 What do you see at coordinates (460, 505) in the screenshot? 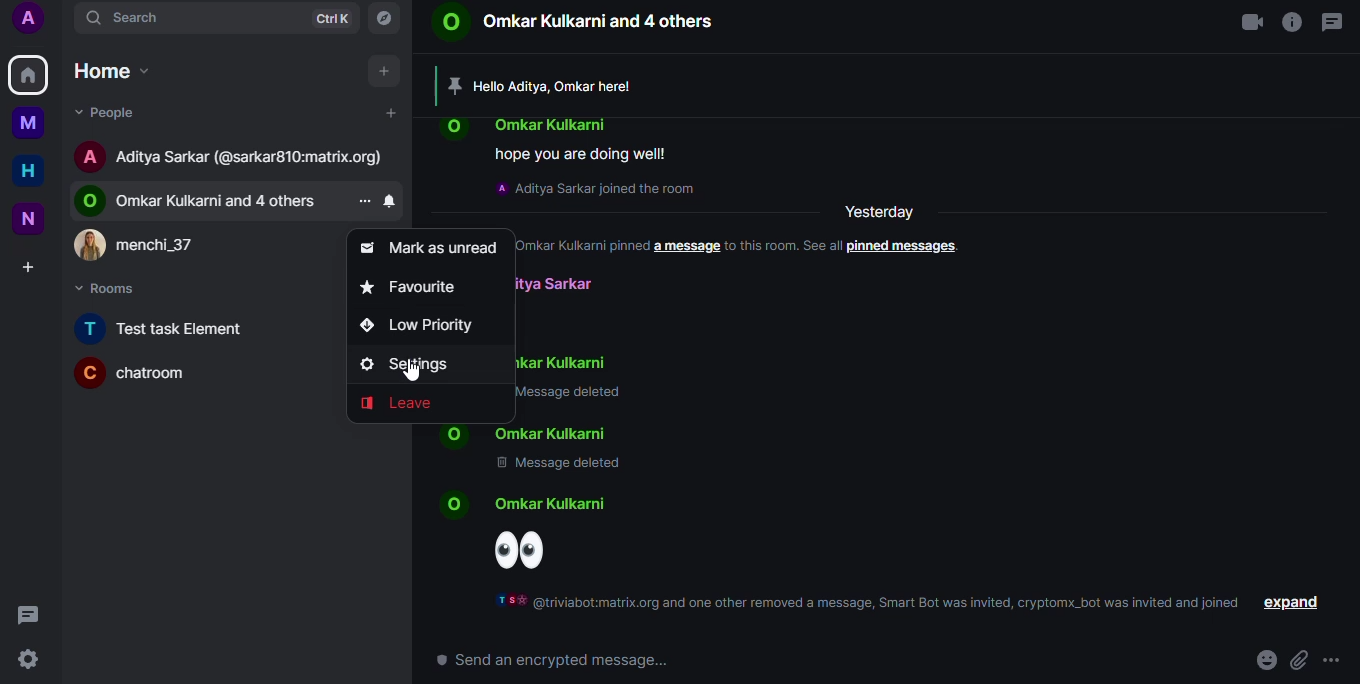
I see `o` at bounding box center [460, 505].